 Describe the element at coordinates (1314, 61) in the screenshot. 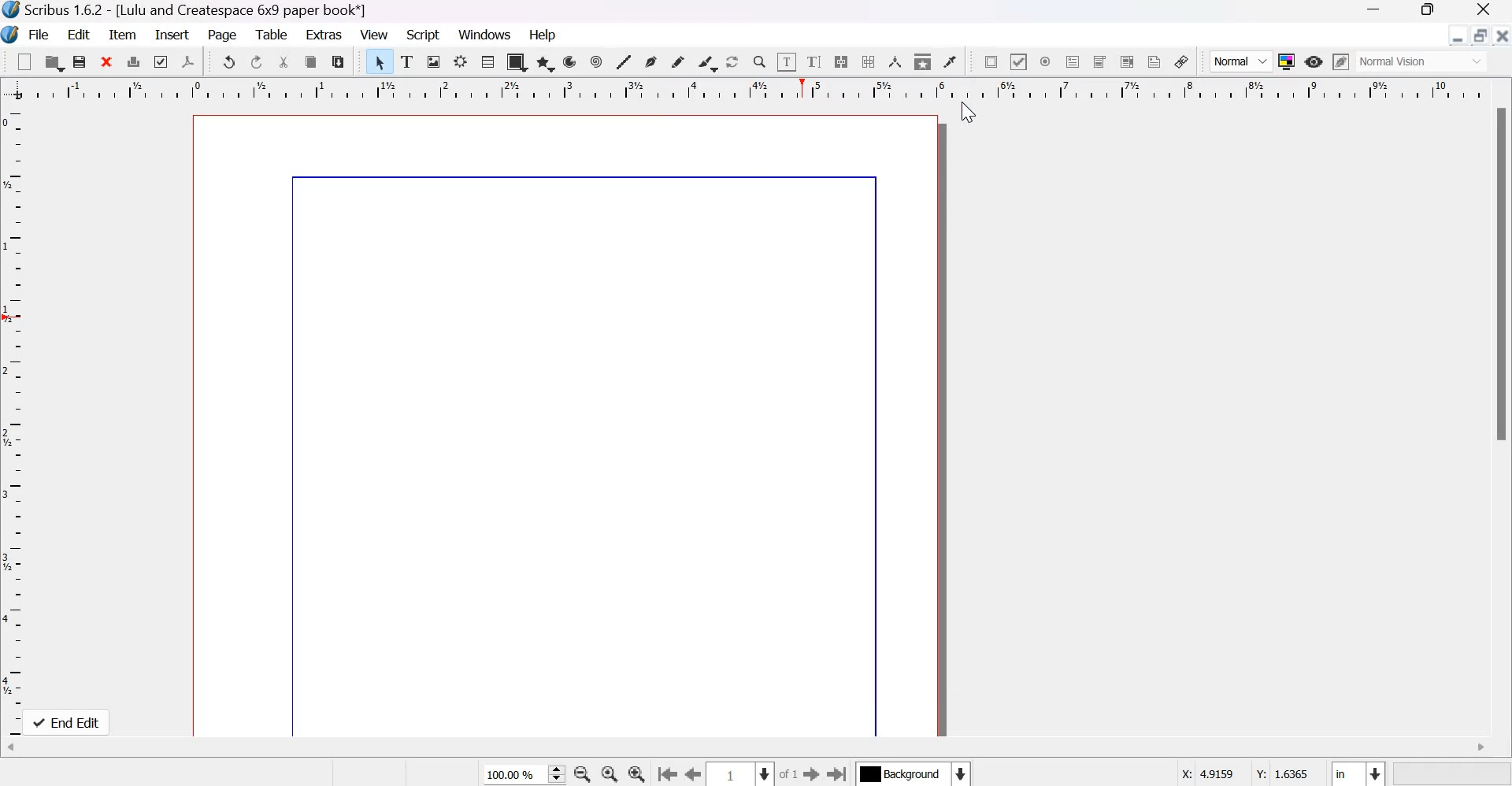

I see `Preview Mode` at that location.